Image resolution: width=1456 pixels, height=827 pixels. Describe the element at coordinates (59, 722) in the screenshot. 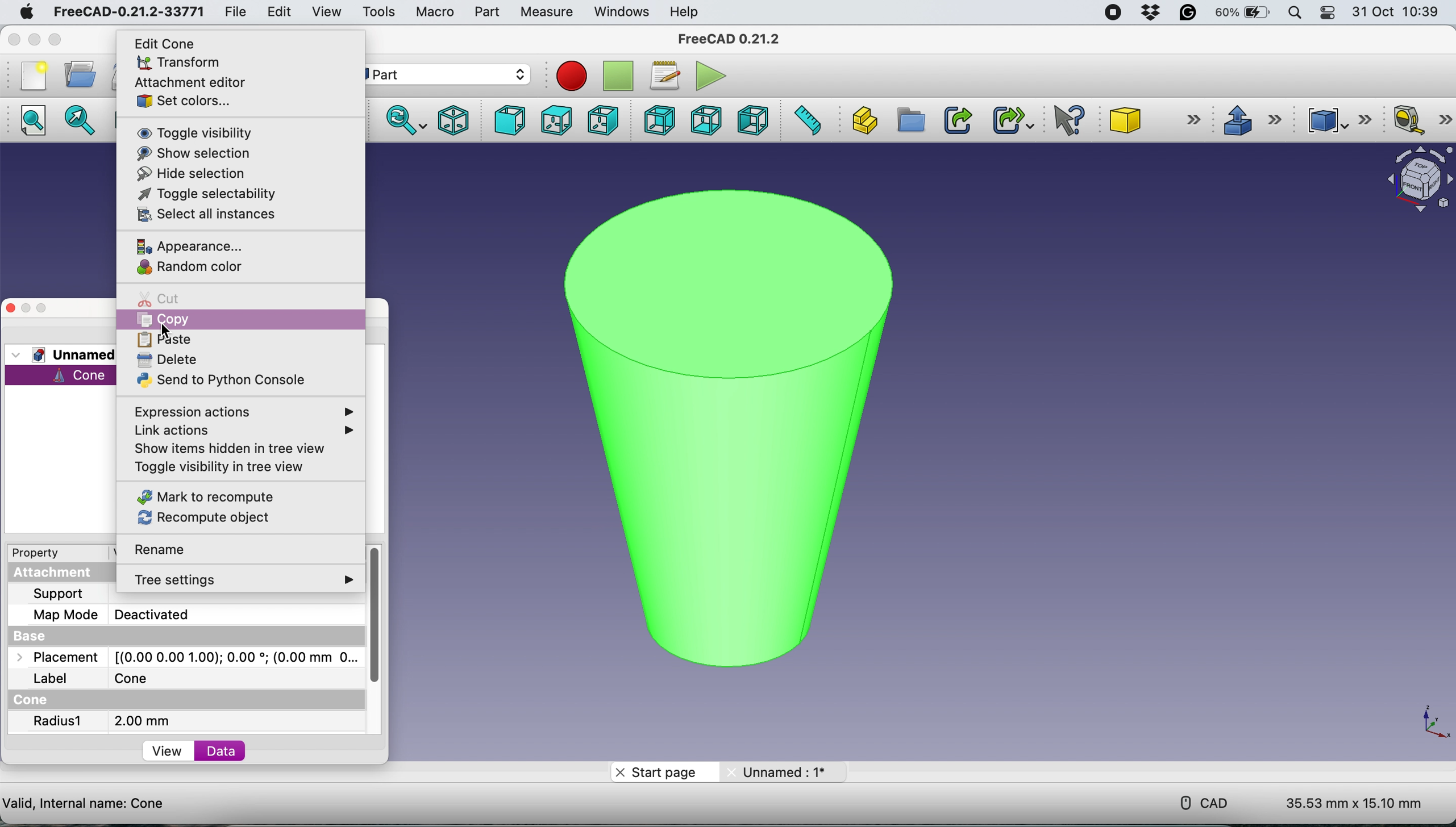

I see `radius` at that location.